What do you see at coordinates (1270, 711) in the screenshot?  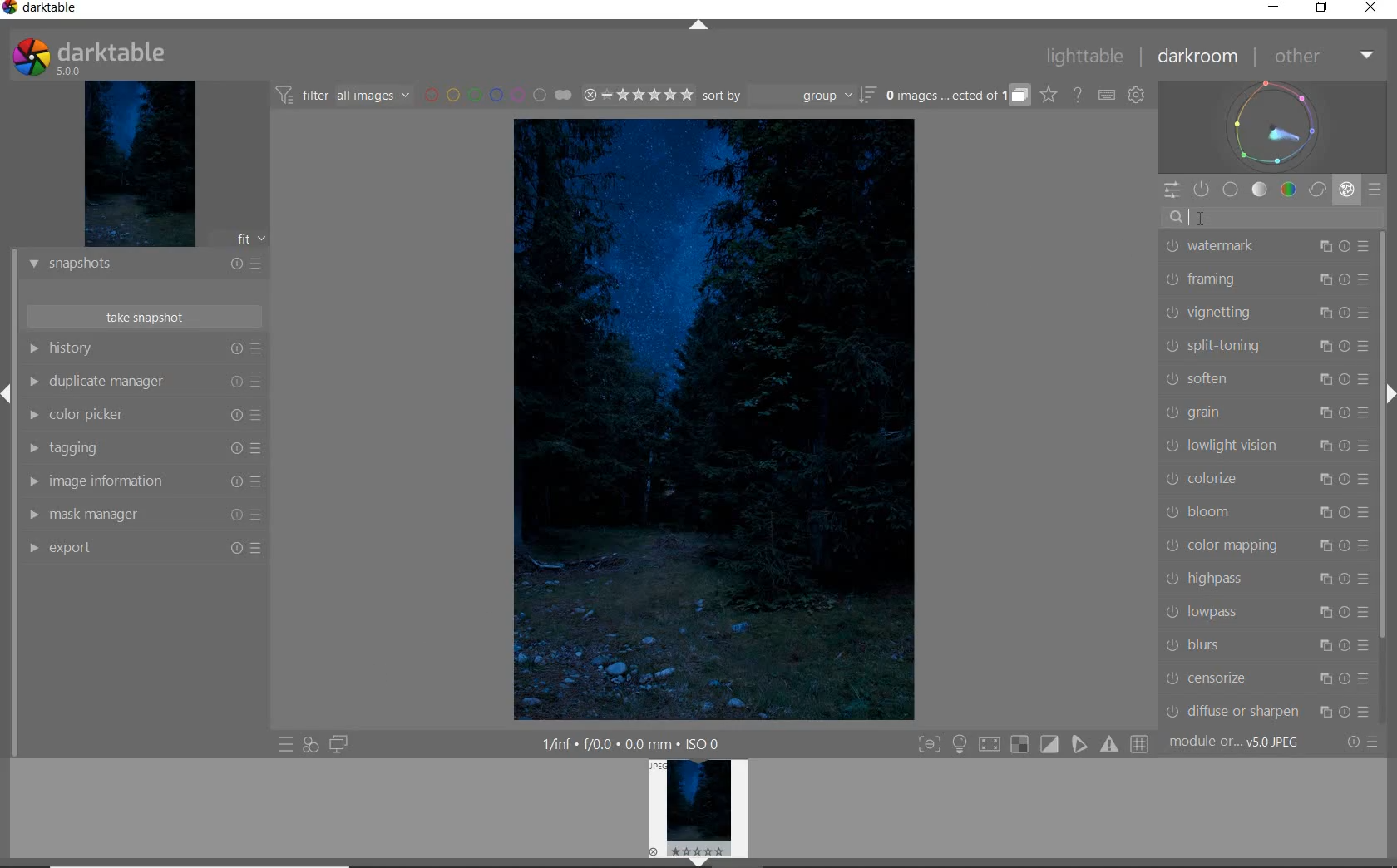 I see `DIFFUSE SHARPEN` at bounding box center [1270, 711].